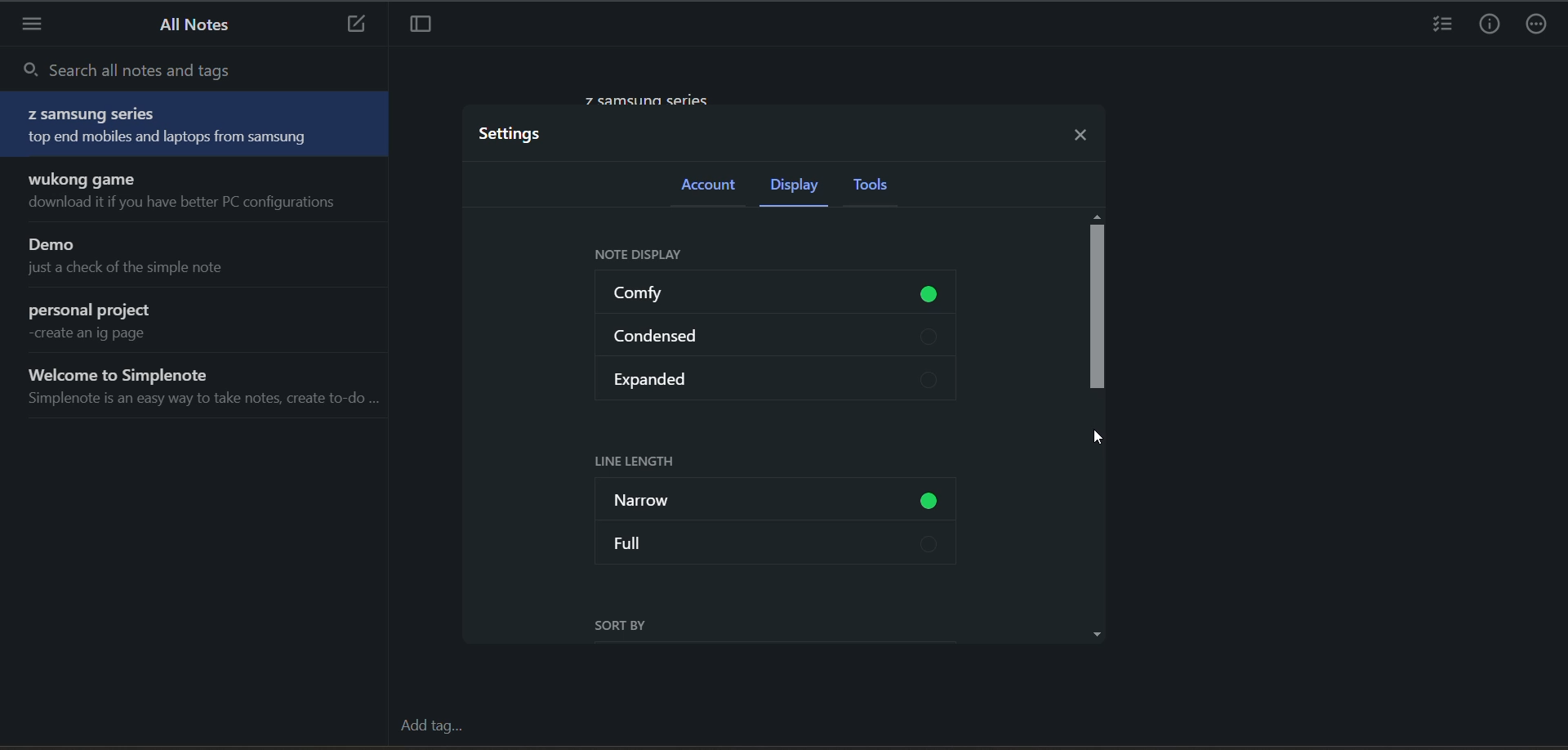  I want to click on cursor, so click(1095, 440).